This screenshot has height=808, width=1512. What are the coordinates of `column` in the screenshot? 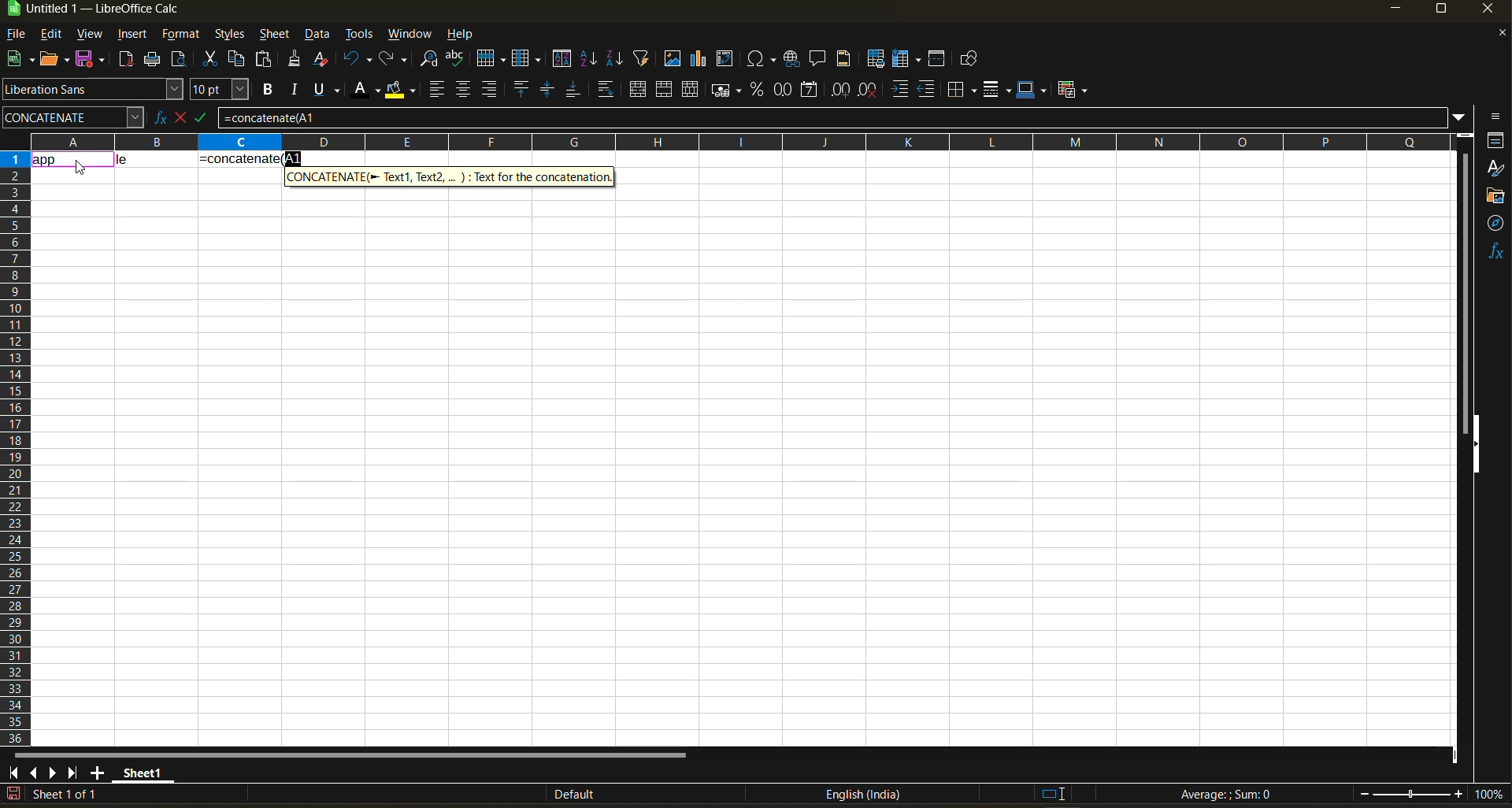 It's located at (528, 61).